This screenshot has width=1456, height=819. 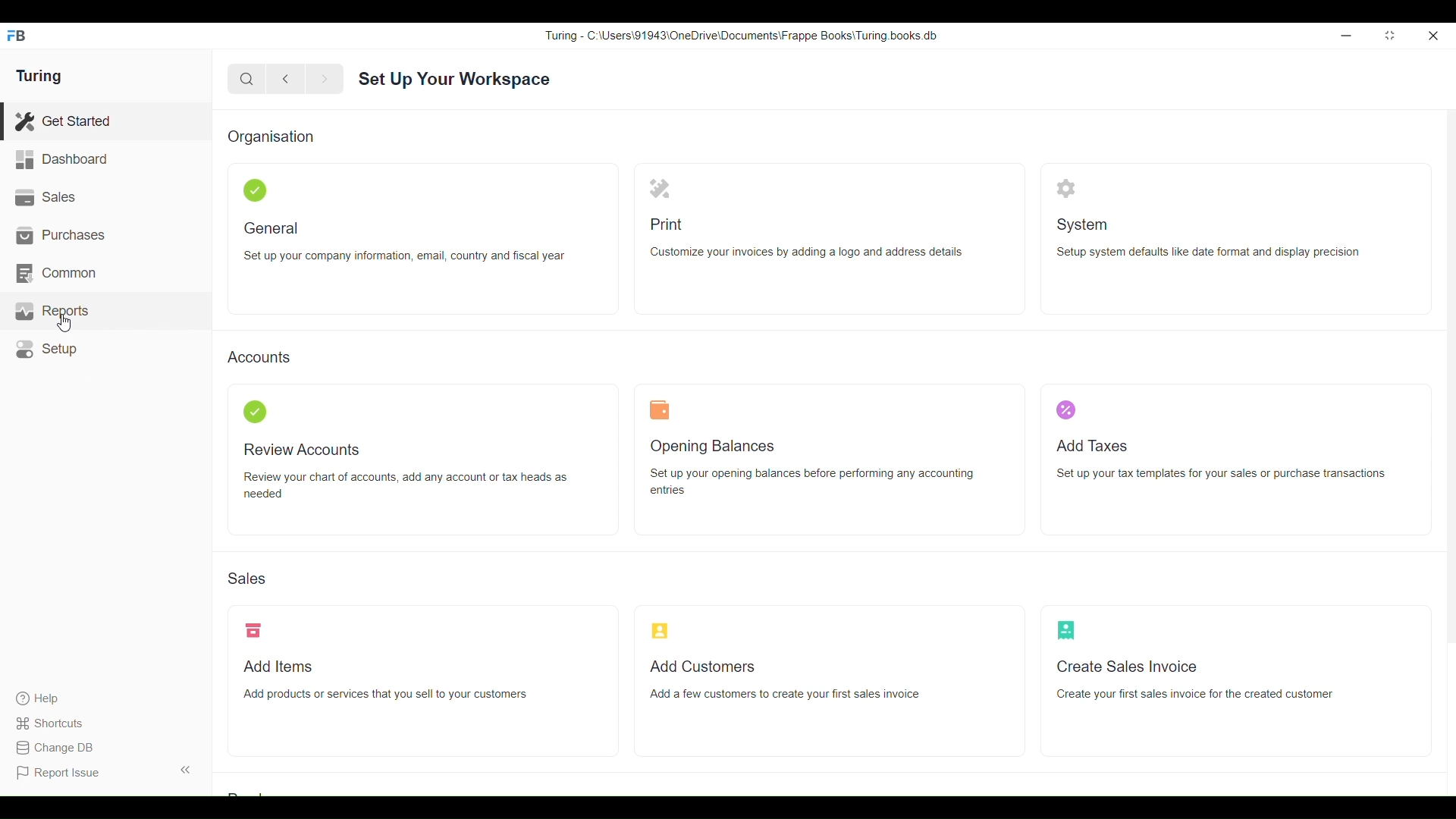 I want to click on Next, so click(x=325, y=80).